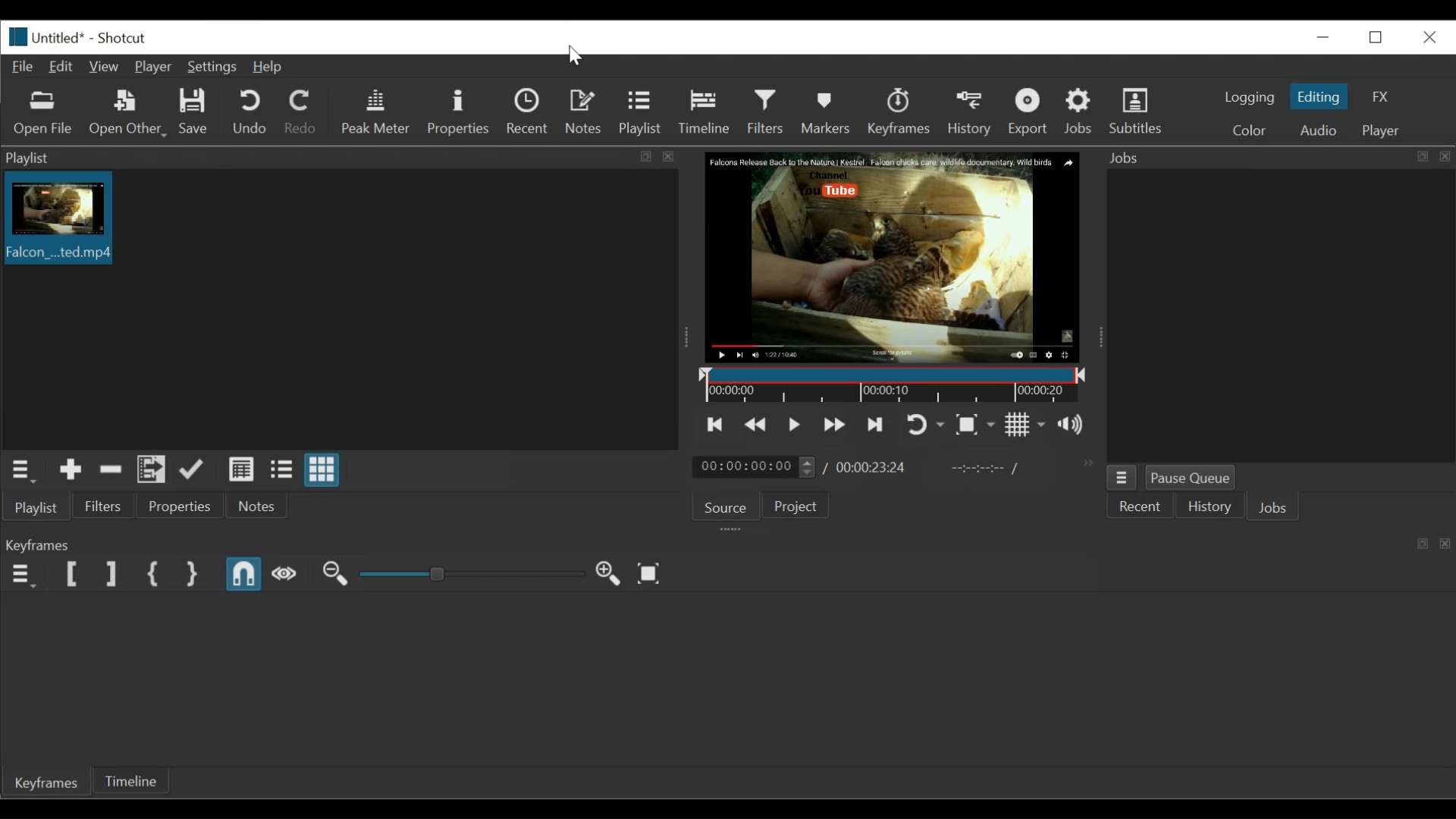  What do you see at coordinates (47, 115) in the screenshot?
I see `Open file` at bounding box center [47, 115].